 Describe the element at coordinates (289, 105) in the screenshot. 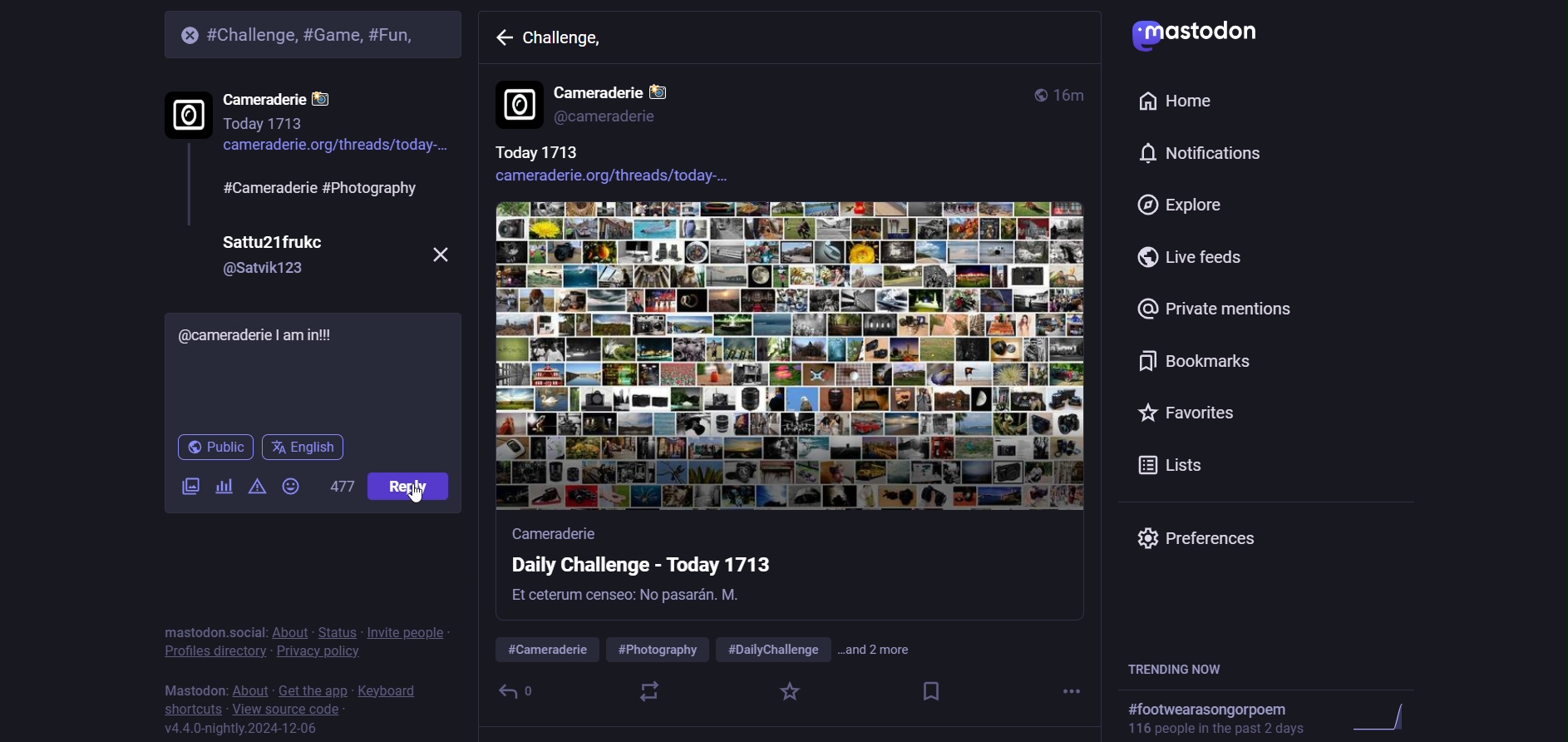

I see `Cameraderie
Today 1713` at that location.